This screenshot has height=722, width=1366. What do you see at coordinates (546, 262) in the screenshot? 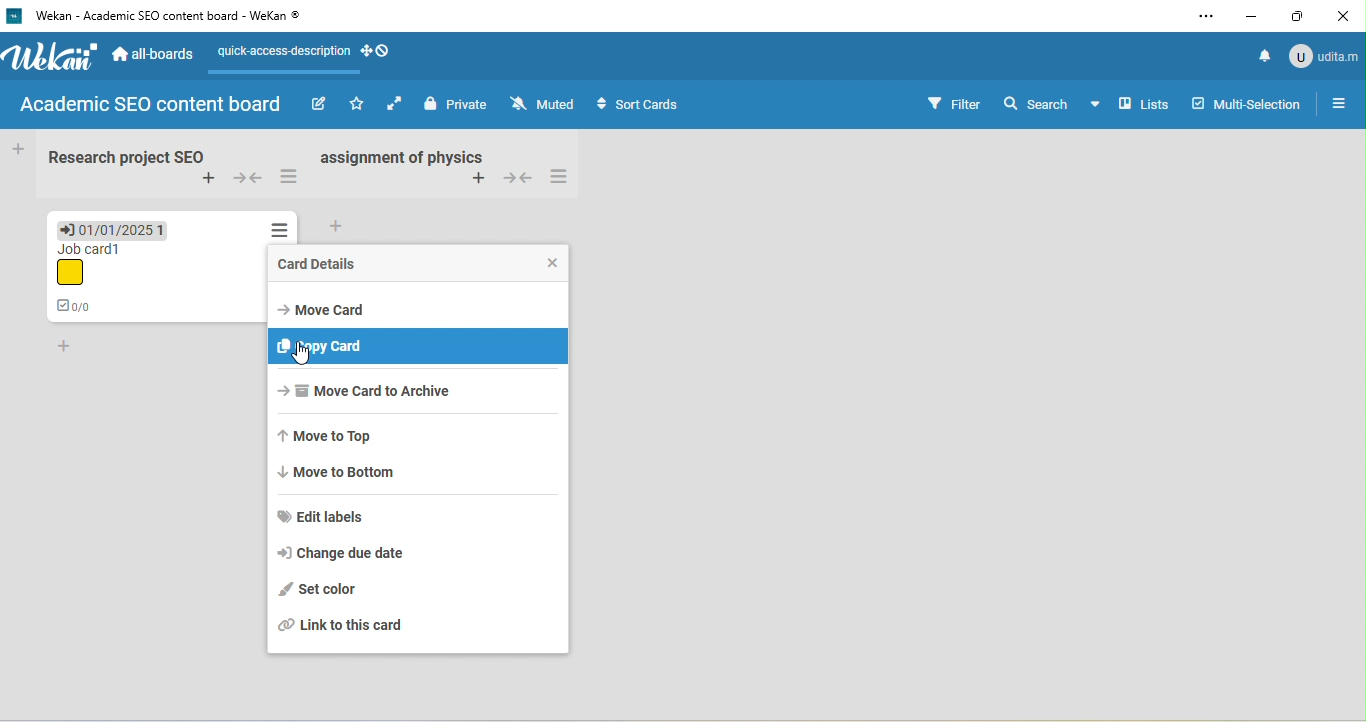
I see `close` at bounding box center [546, 262].